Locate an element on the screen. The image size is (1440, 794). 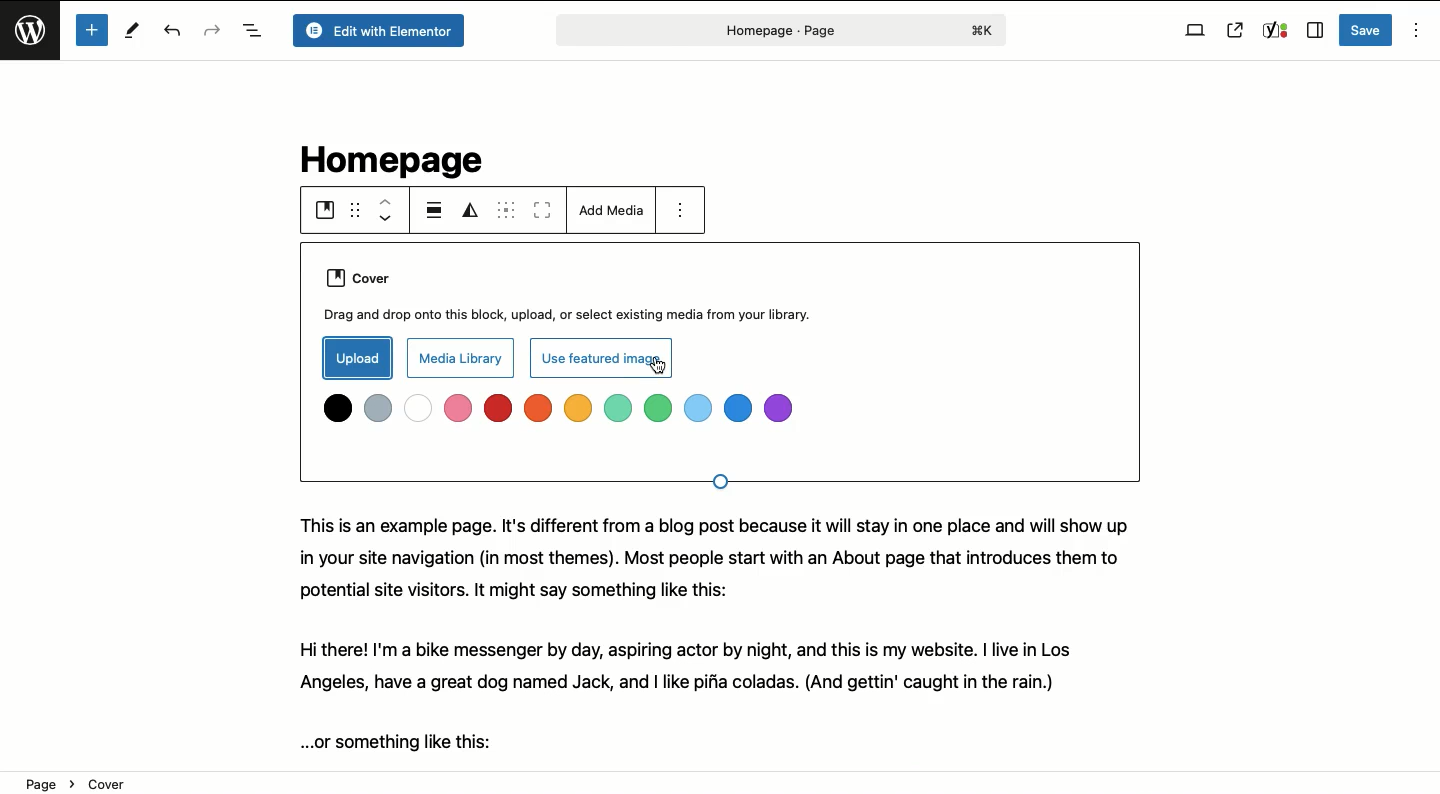
Yoast is located at coordinates (1274, 31).